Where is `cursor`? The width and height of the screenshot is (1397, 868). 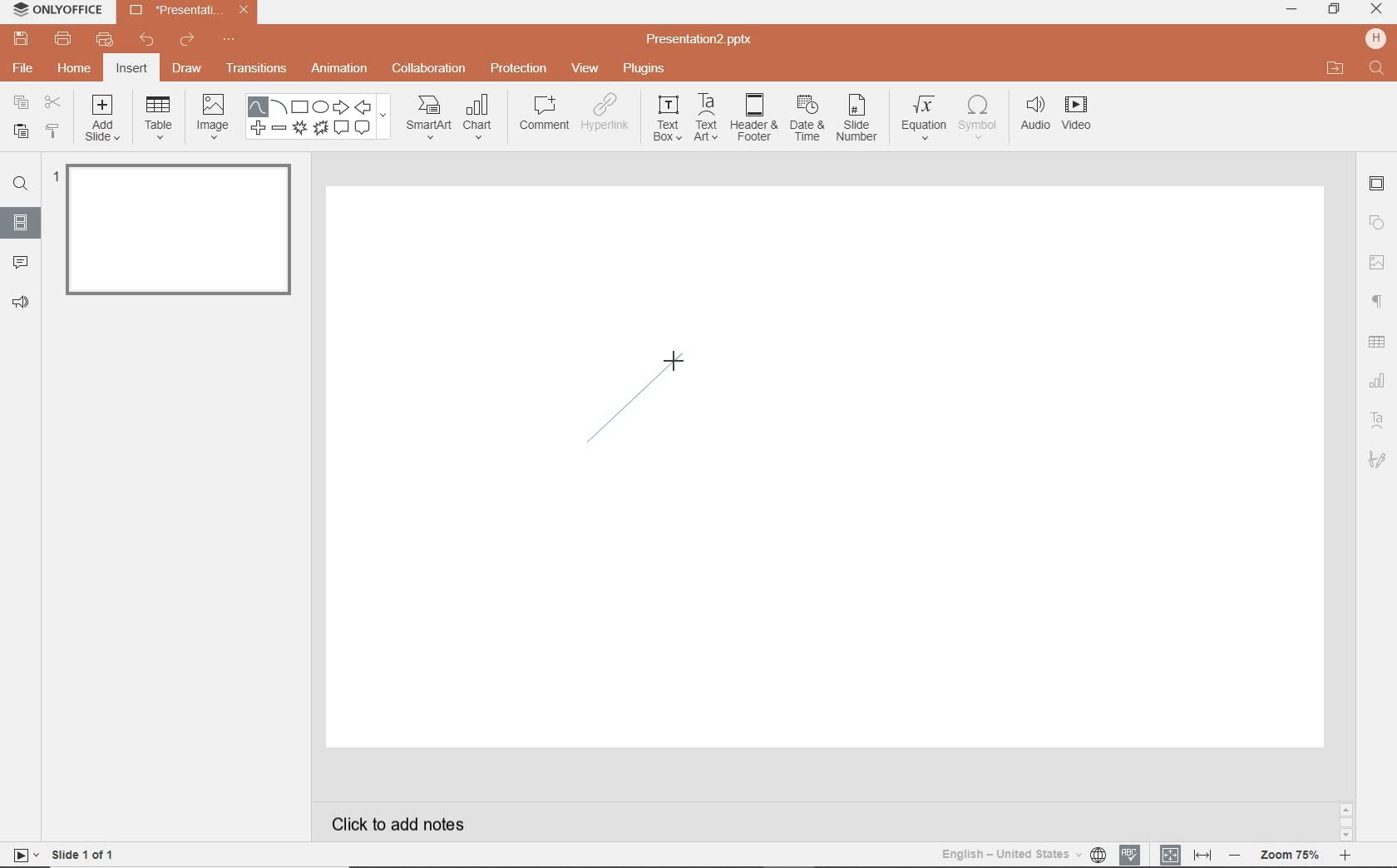
cursor is located at coordinates (672, 362).